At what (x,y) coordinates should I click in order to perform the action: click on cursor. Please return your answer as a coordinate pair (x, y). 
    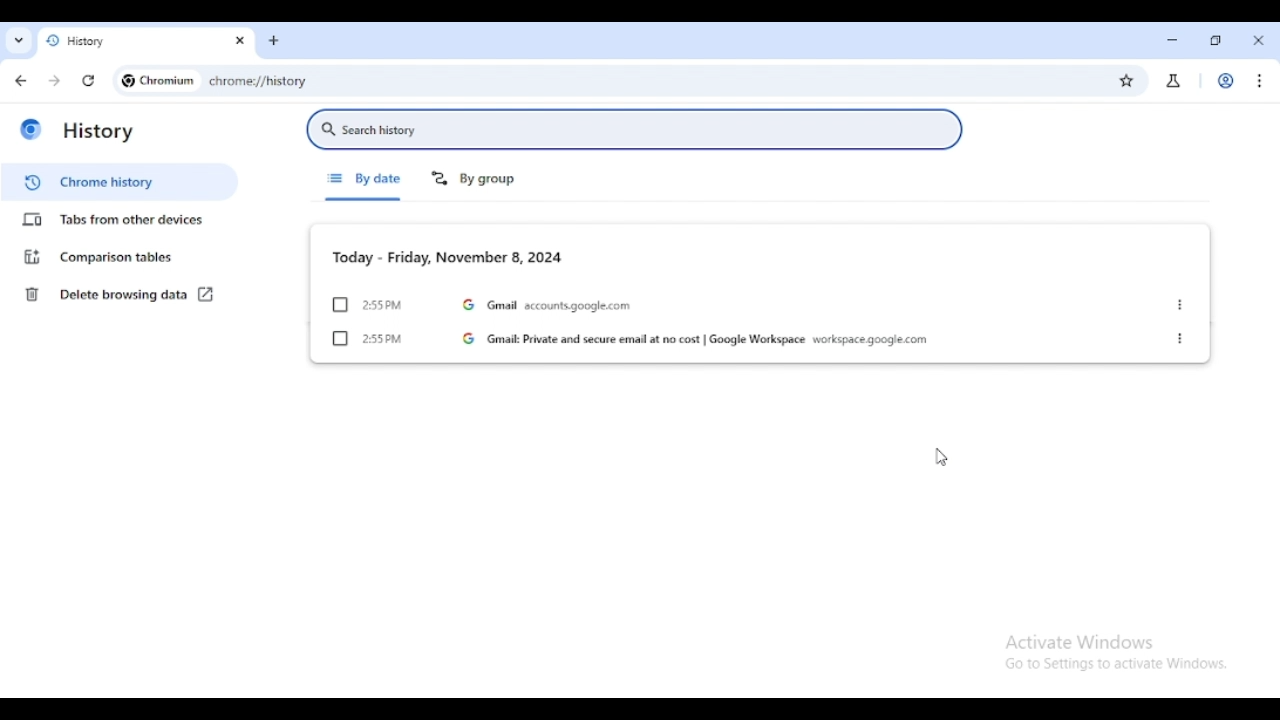
    Looking at the image, I should click on (938, 457).